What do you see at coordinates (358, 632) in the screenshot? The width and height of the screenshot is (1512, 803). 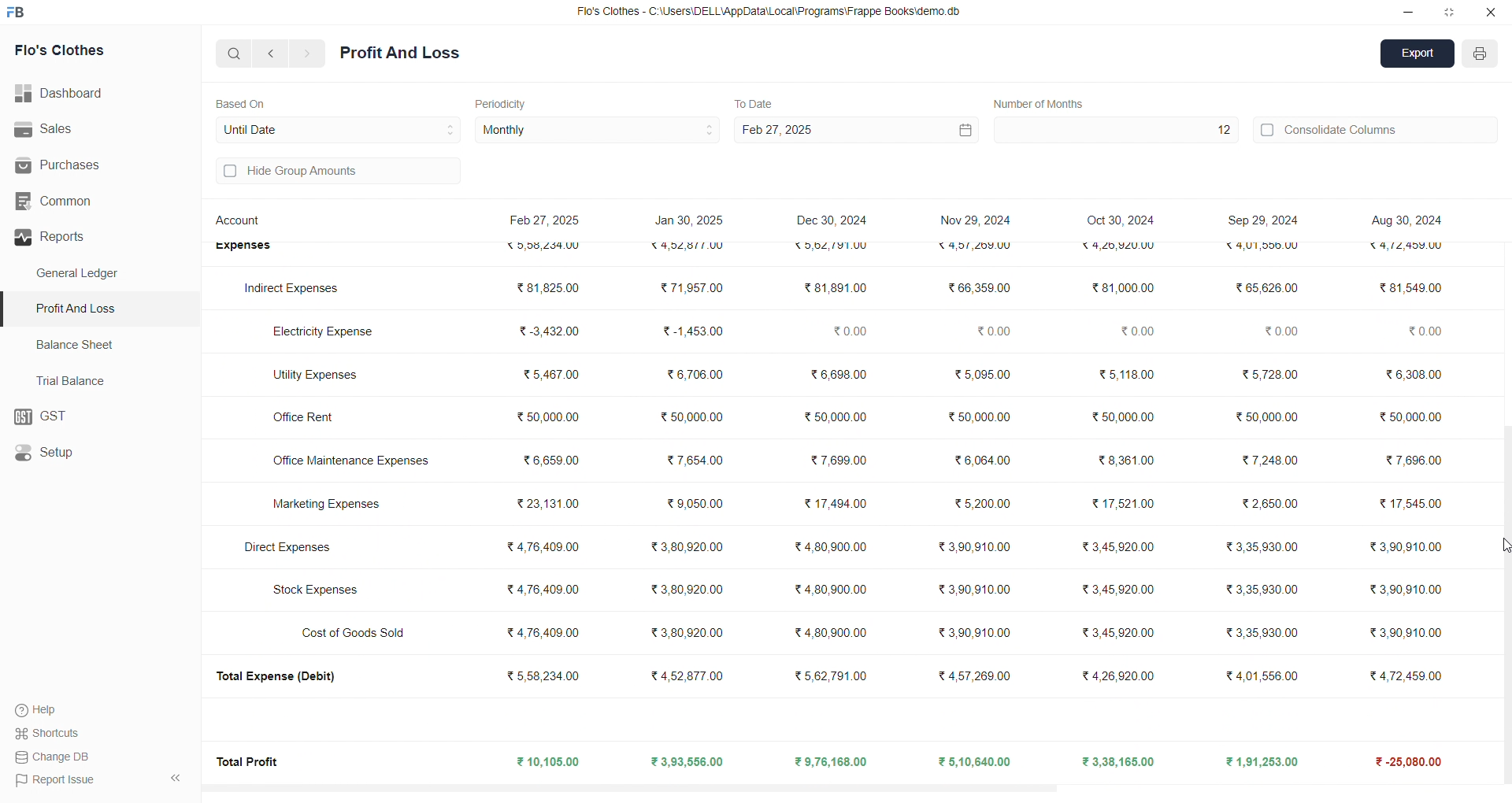 I see `Cost of Goods Sold` at bounding box center [358, 632].